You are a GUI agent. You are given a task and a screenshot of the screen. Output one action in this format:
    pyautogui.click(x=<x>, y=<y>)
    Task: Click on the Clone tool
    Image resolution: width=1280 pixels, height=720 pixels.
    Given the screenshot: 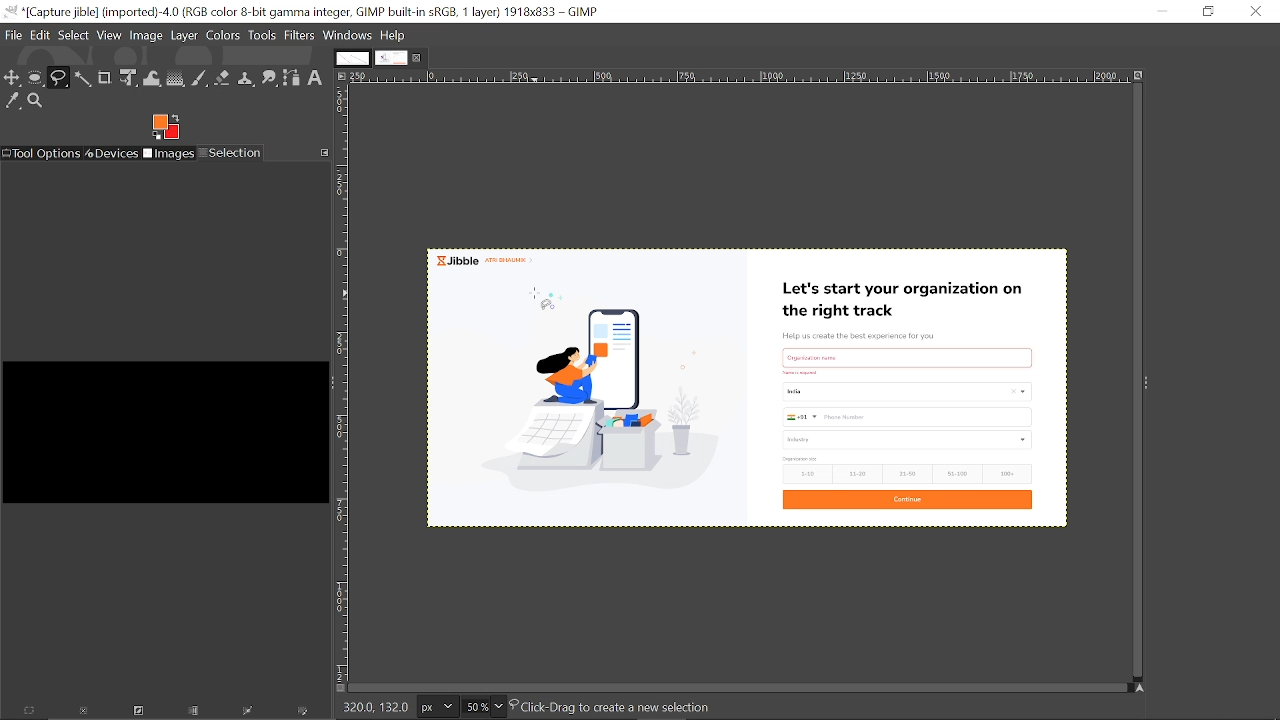 What is the action you would take?
    pyautogui.click(x=247, y=78)
    